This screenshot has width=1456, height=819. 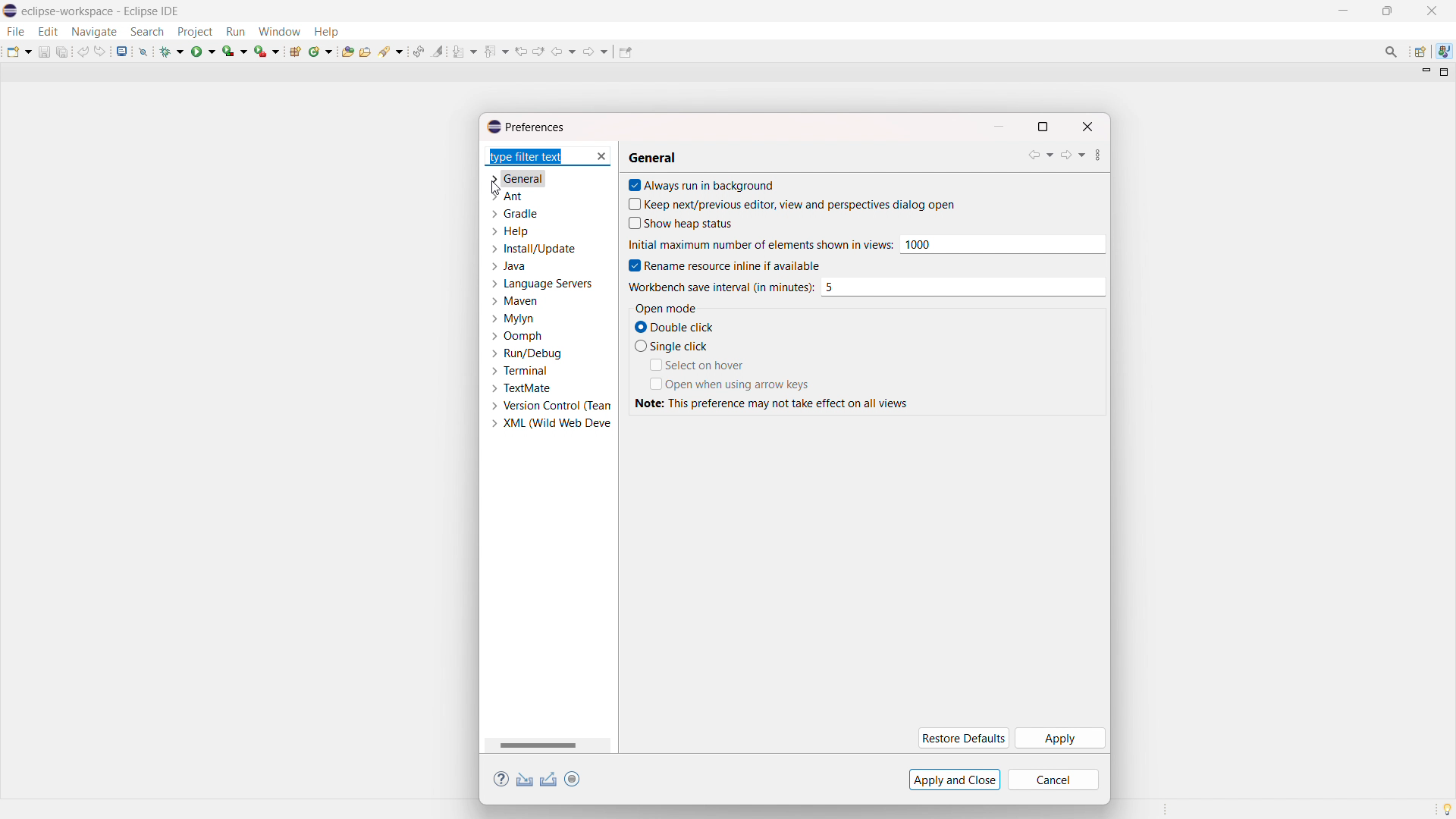 What do you see at coordinates (733, 265) in the screenshot?
I see `resume resource inline if available` at bounding box center [733, 265].